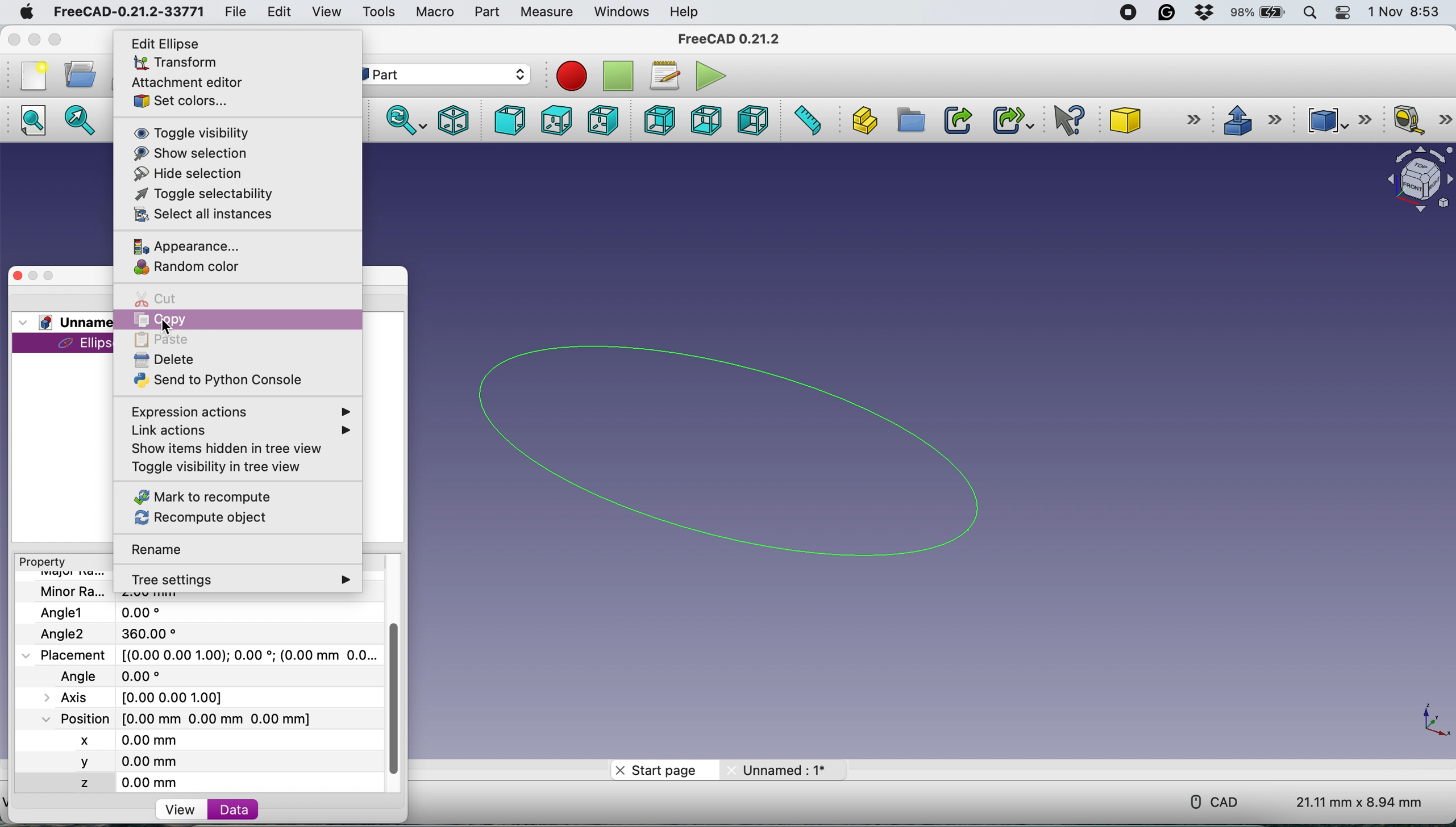  I want to click on right, so click(605, 120).